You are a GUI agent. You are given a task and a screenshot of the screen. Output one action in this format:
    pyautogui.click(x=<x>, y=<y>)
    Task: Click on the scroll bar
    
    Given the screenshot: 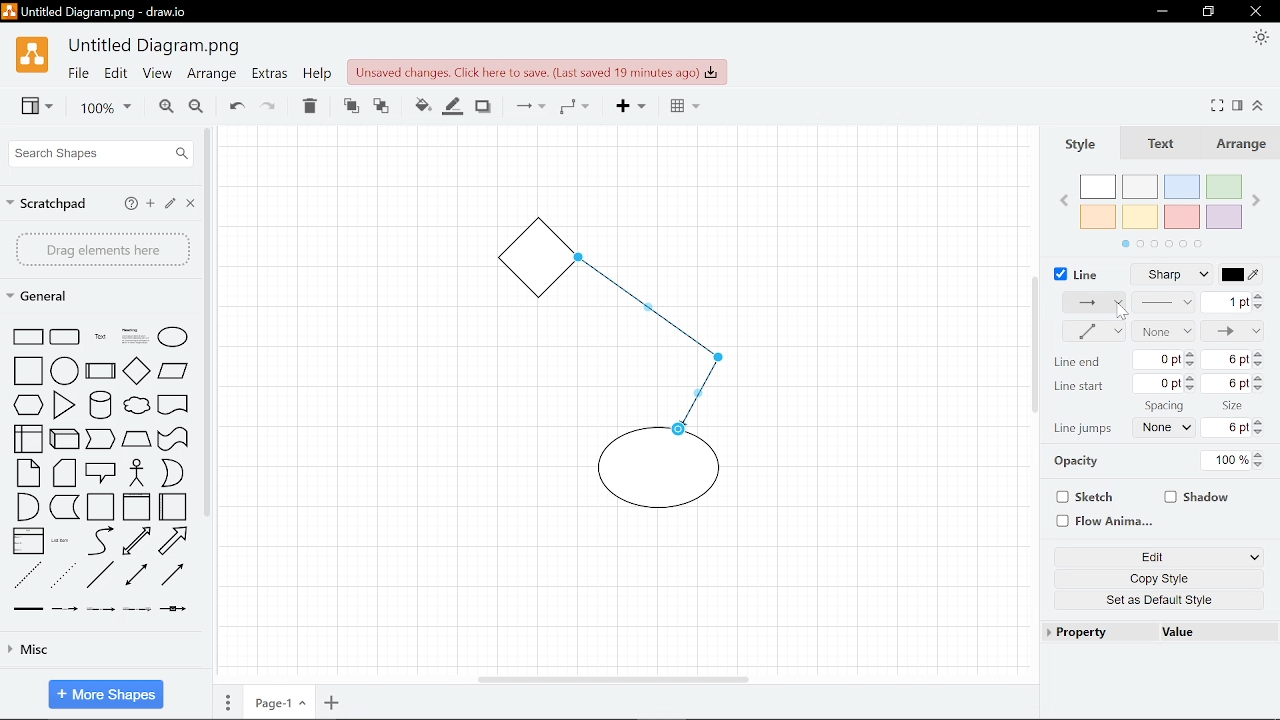 What is the action you would take?
    pyautogui.click(x=1037, y=344)
    